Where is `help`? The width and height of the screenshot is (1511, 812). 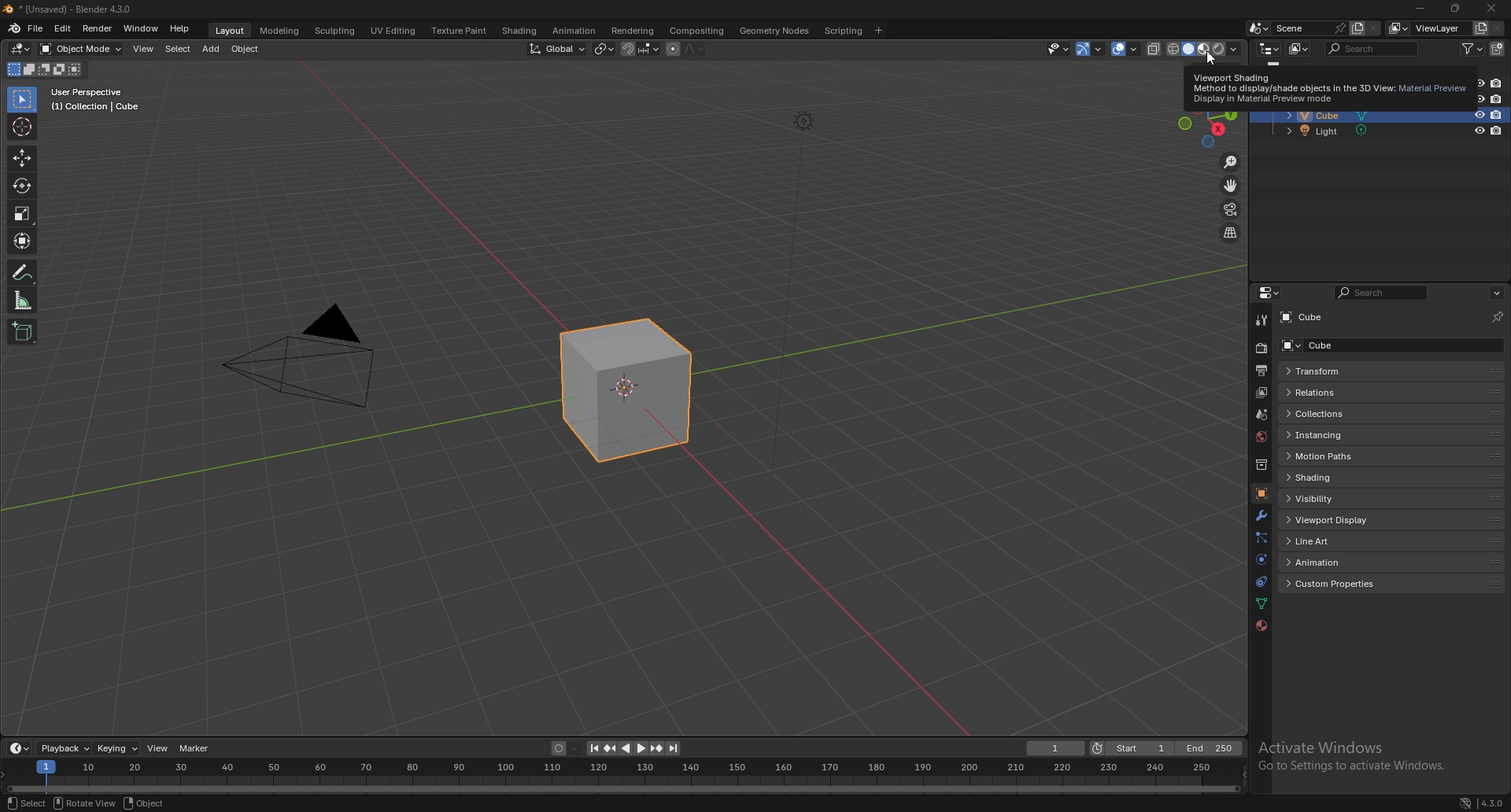
help is located at coordinates (180, 29).